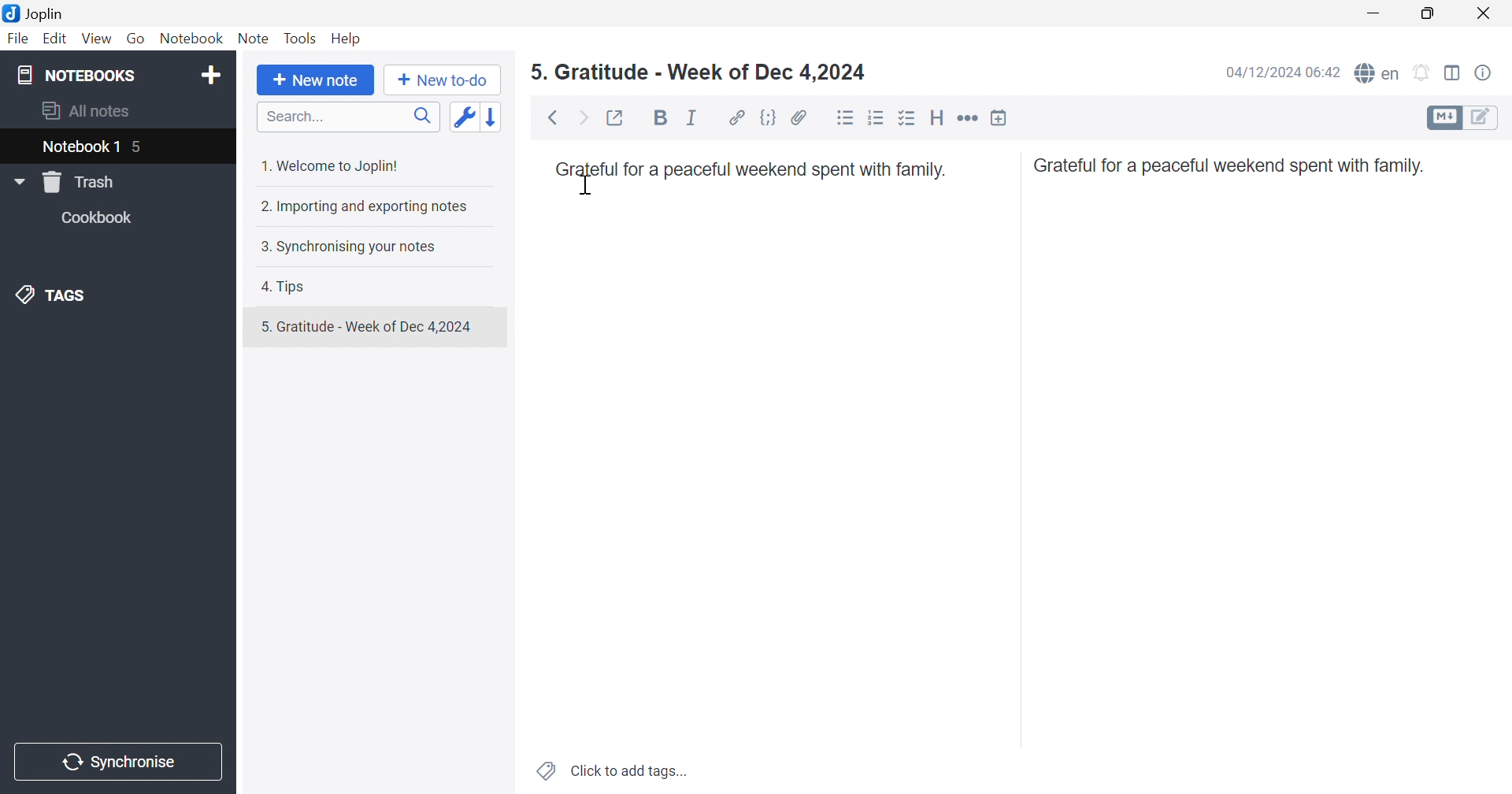 Image resolution: width=1512 pixels, height=794 pixels. Describe the element at coordinates (212, 74) in the screenshot. I see `Add notebook` at that location.